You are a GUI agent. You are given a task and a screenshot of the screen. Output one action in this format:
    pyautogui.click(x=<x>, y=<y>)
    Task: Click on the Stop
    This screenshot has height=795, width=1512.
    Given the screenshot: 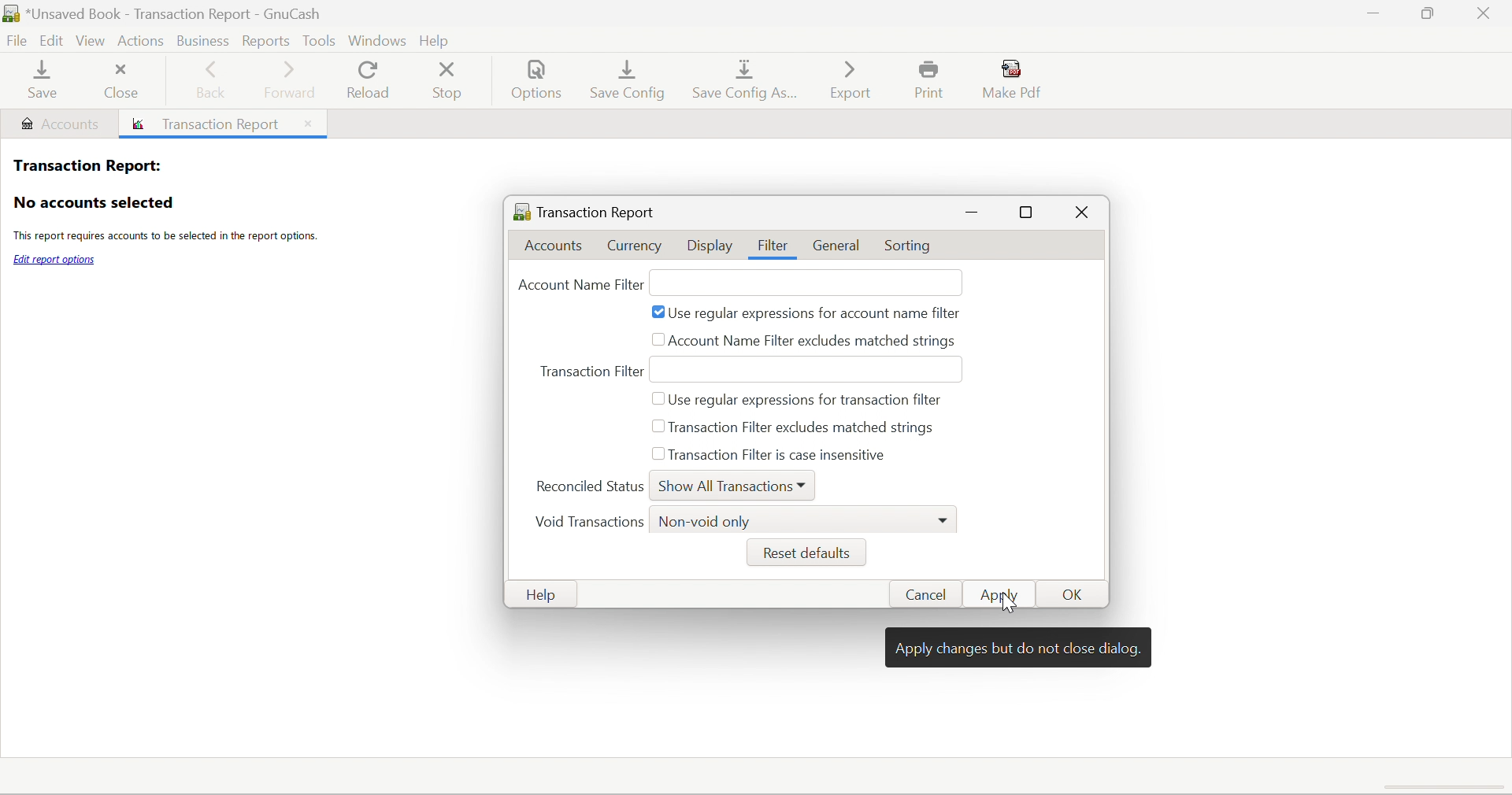 What is the action you would take?
    pyautogui.click(x=450, y=81)
    